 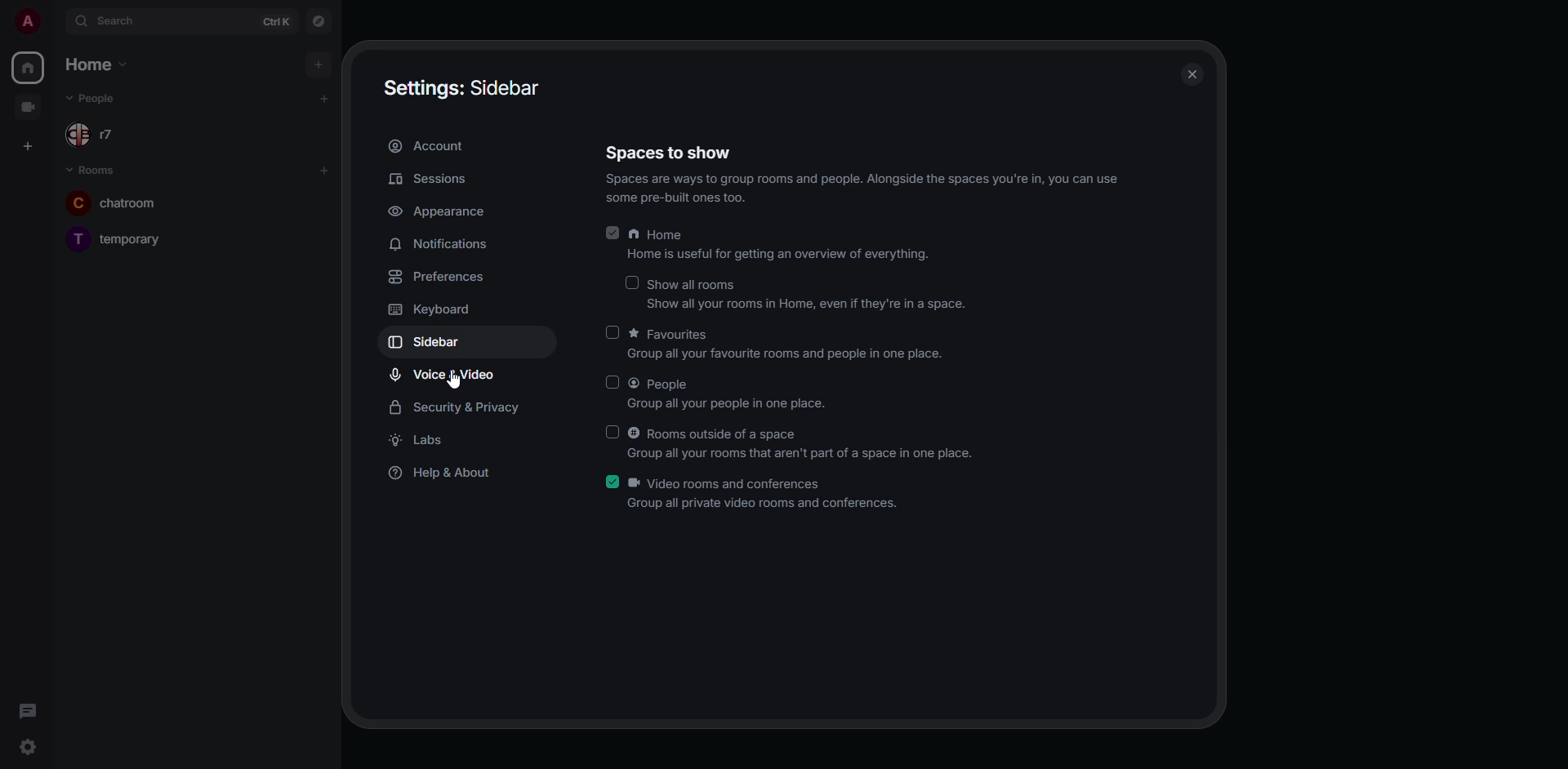 What do you see at coordinates (122, 238) in the screenshot?
I see `temporary` at bounding box center [122, 238].